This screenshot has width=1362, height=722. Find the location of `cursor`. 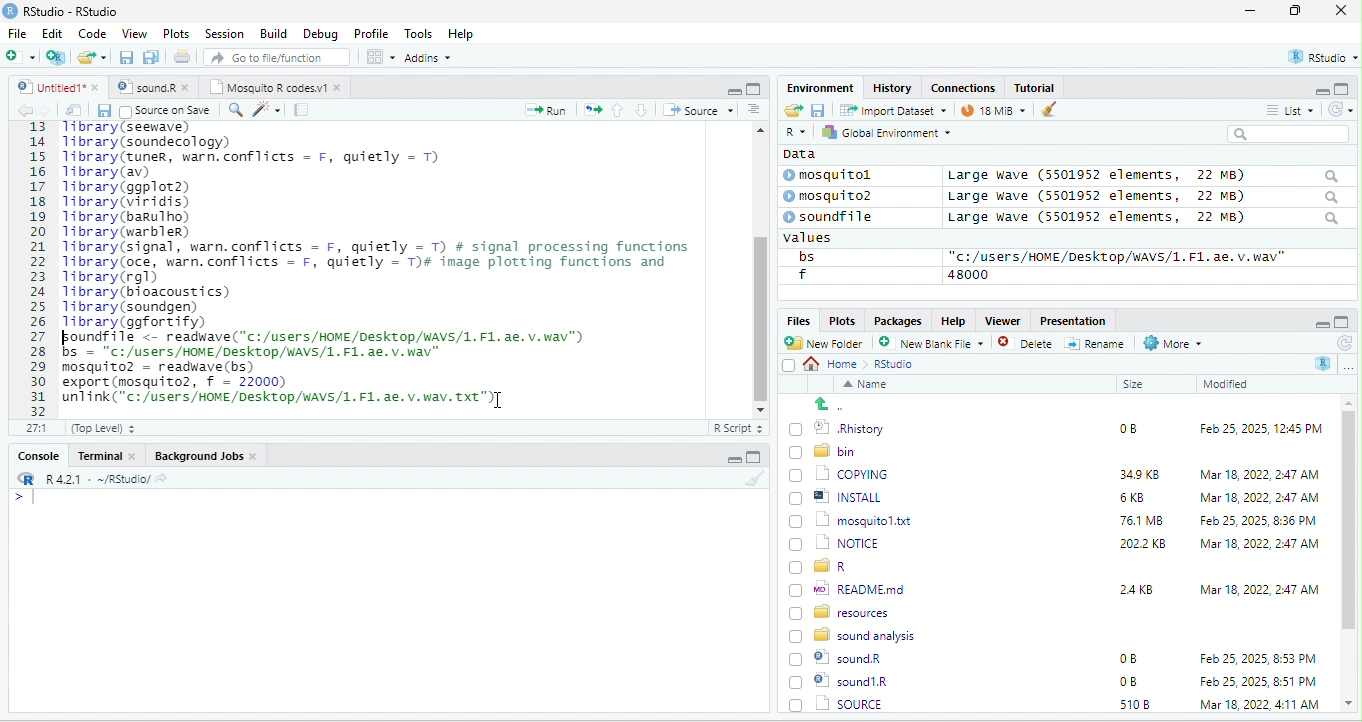

cursor is located at coordinates (494, 400).